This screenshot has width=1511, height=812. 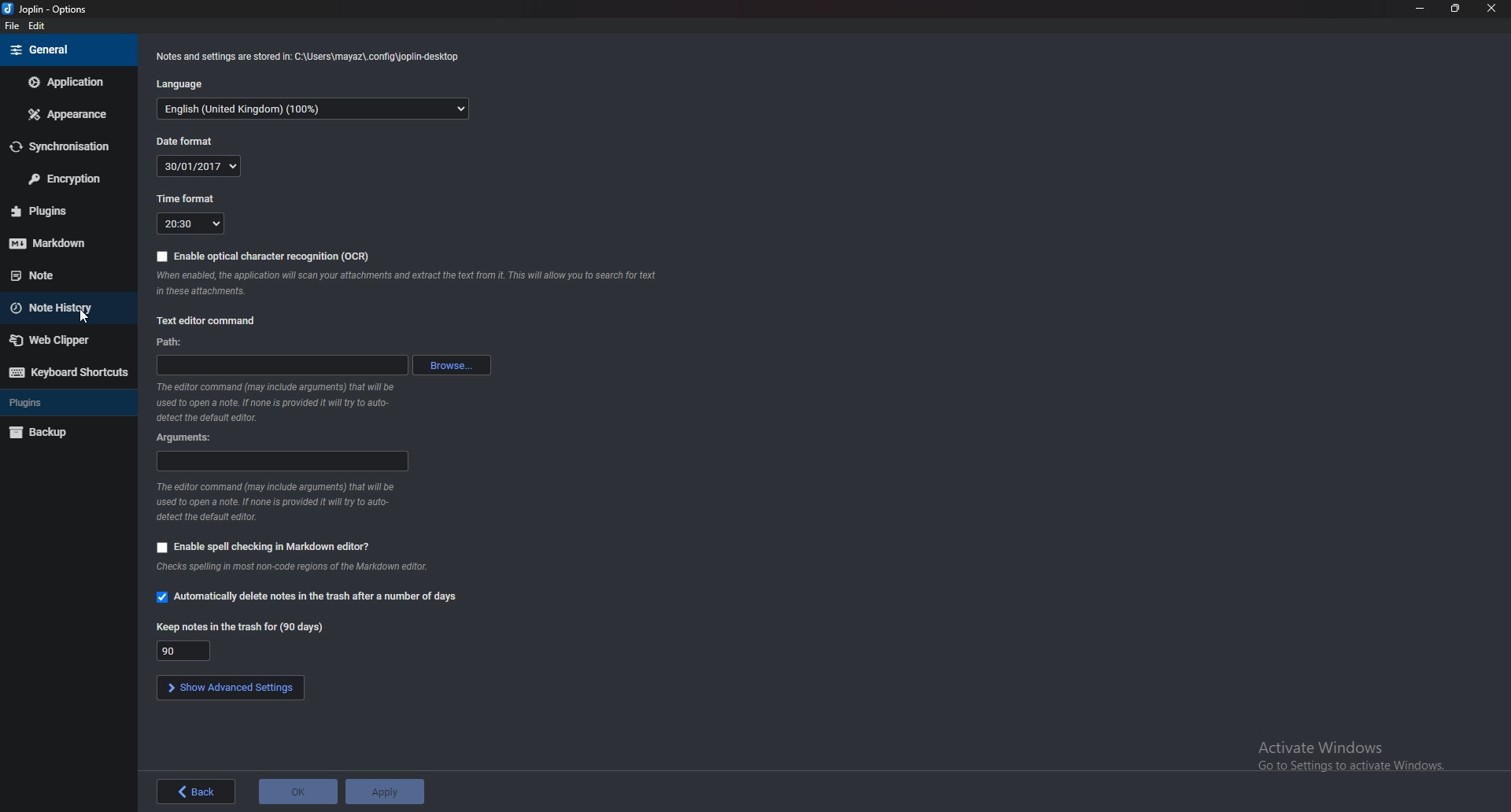 I want to click on general, so click(x=65, y=50).